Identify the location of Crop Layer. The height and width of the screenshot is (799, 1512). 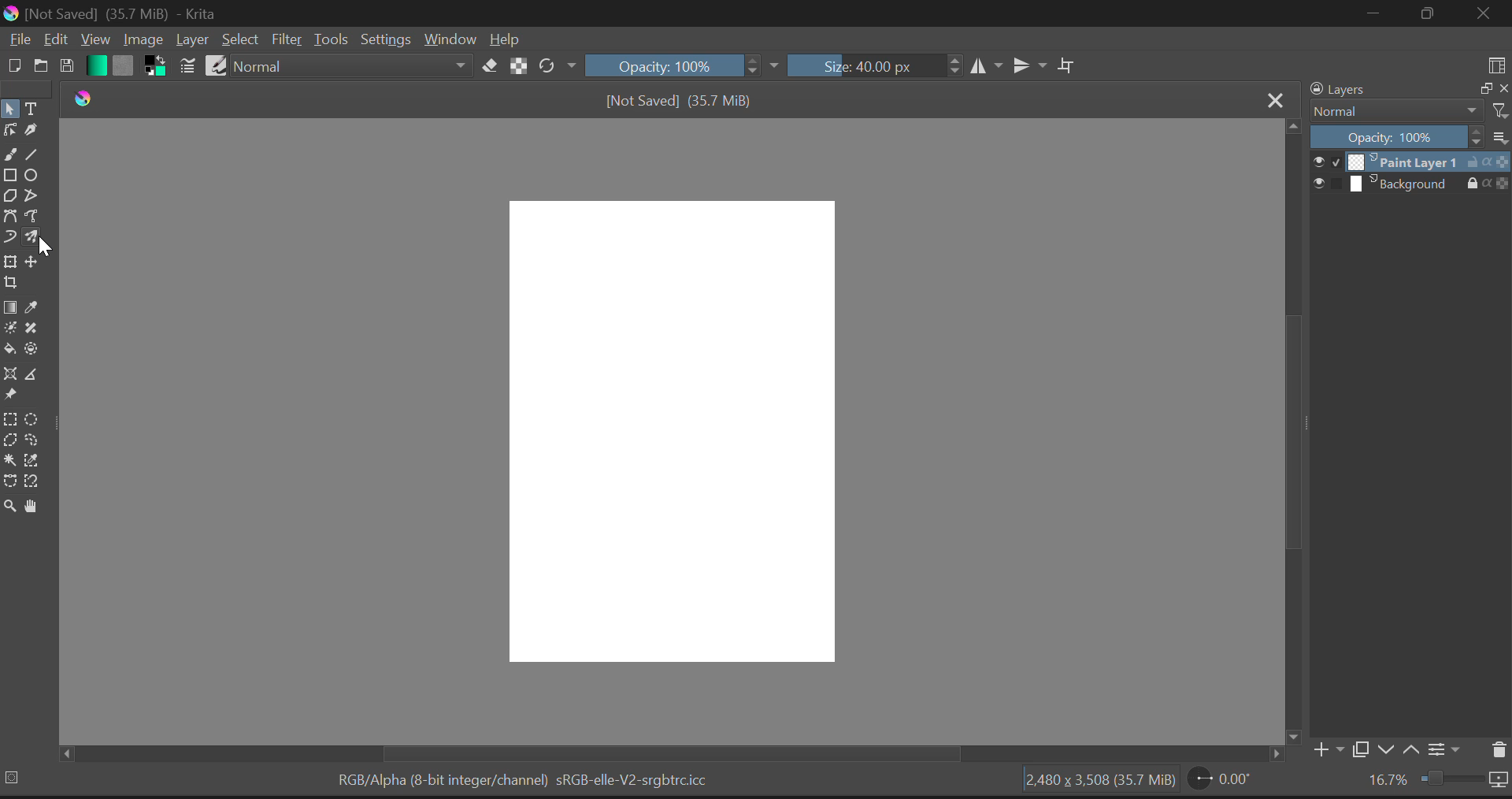
(11, 282).